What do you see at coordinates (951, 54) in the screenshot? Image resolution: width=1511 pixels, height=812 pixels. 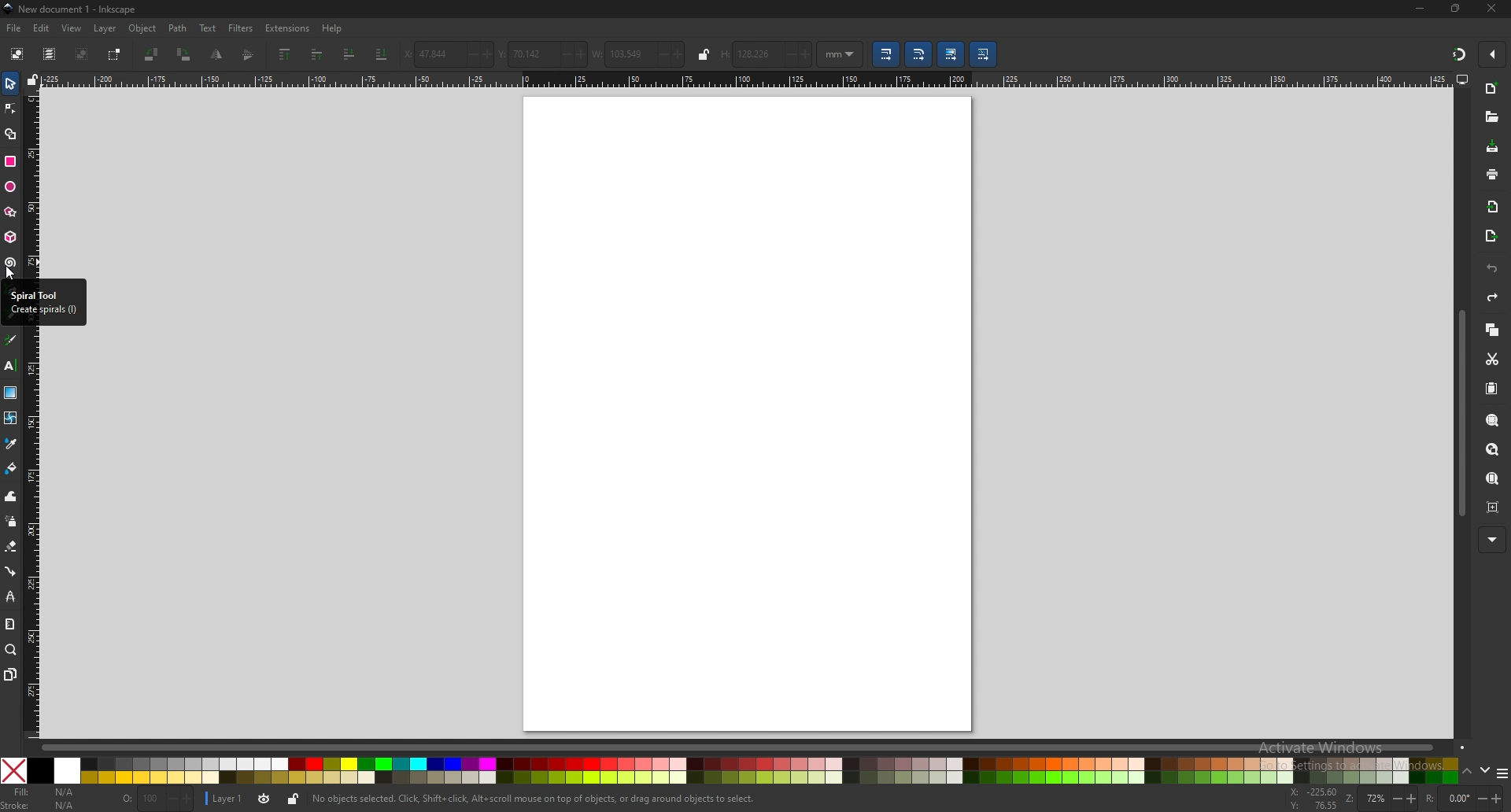 I see `move gradient` at bounding box center [951, 54].